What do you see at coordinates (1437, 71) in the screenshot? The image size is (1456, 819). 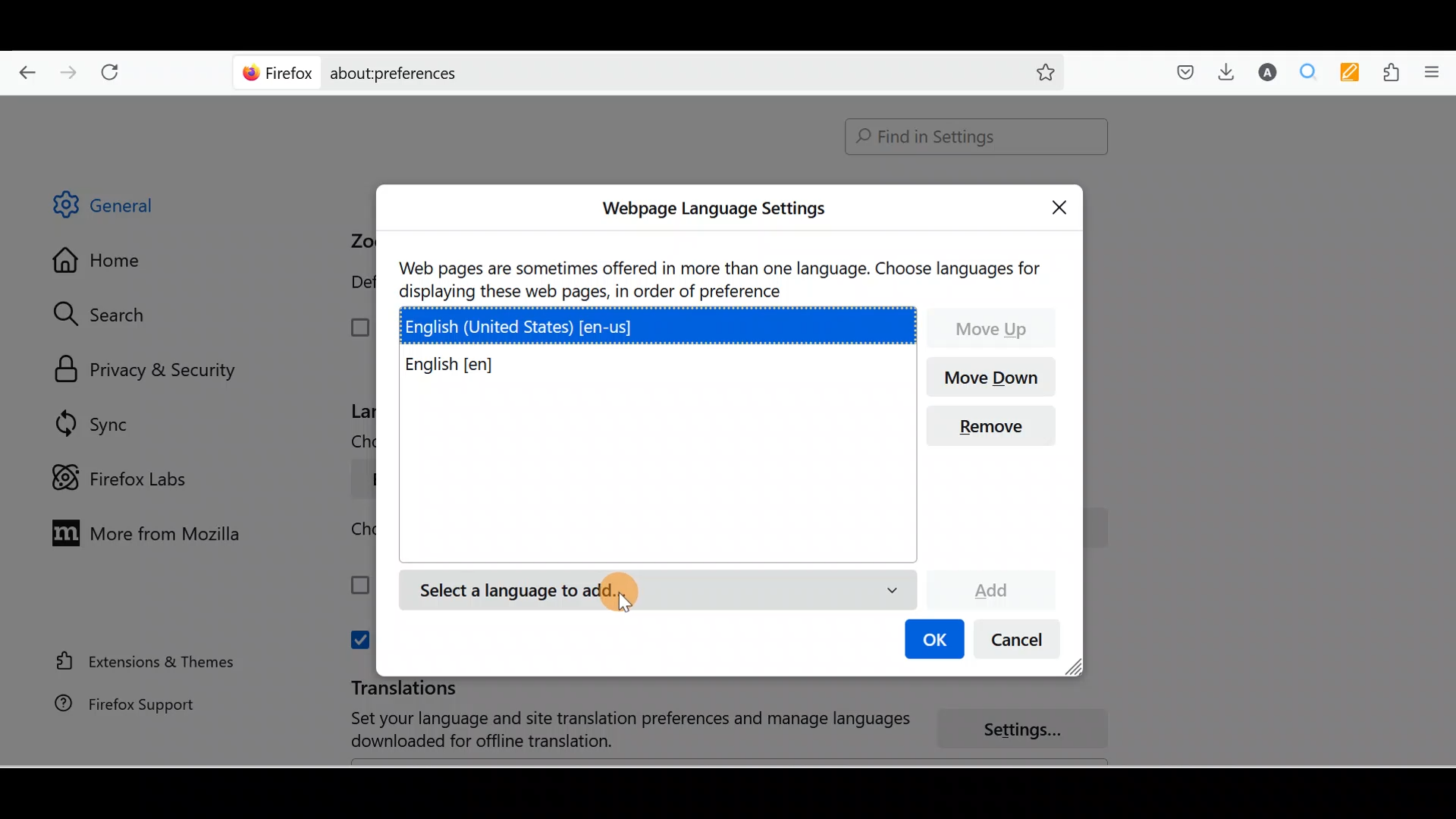 I see `Open application menu` at bounding box center [1437, 71].